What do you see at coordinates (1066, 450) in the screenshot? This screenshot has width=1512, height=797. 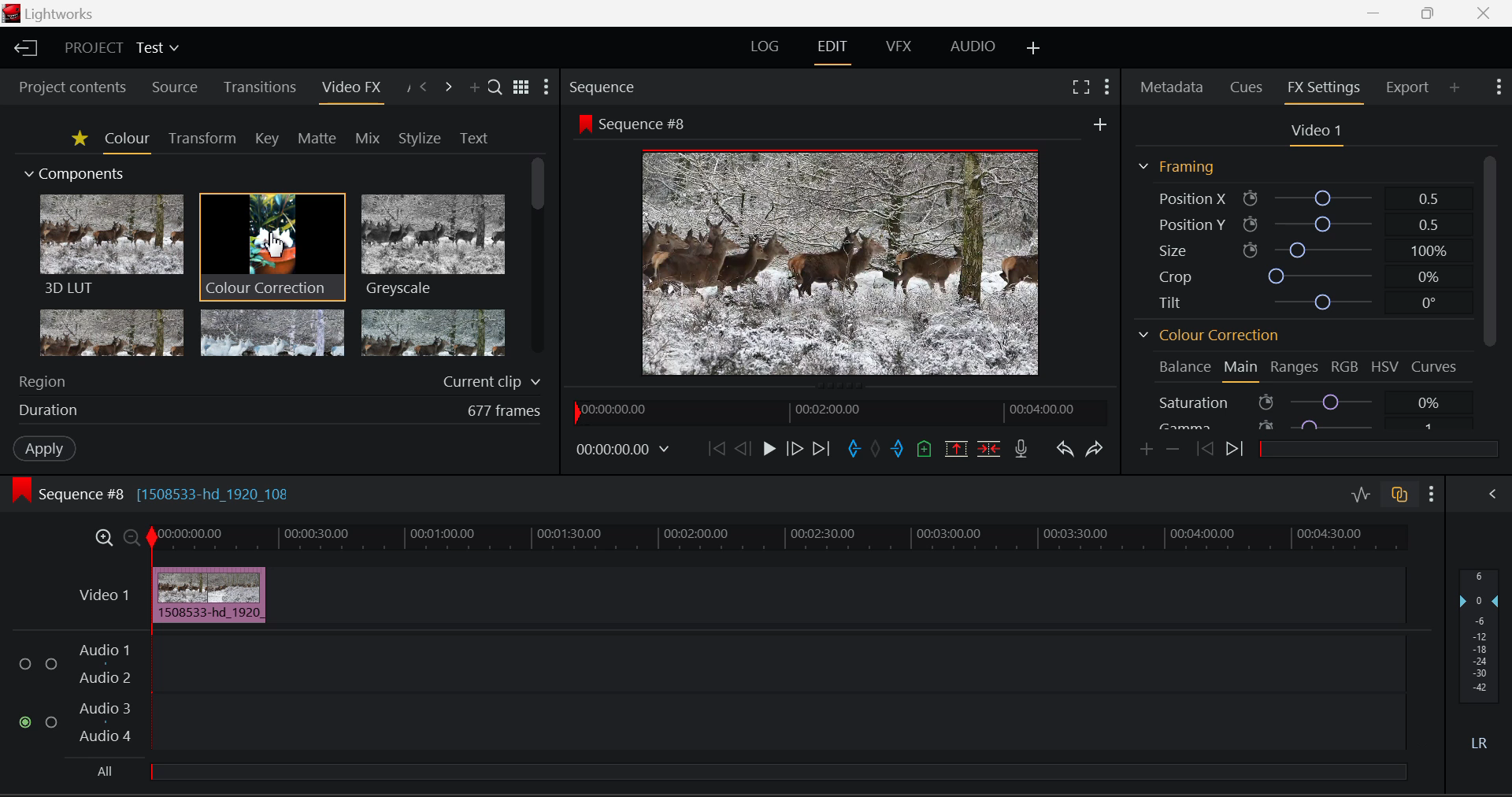 I see `Undo` at bounding box center [1066, 450].